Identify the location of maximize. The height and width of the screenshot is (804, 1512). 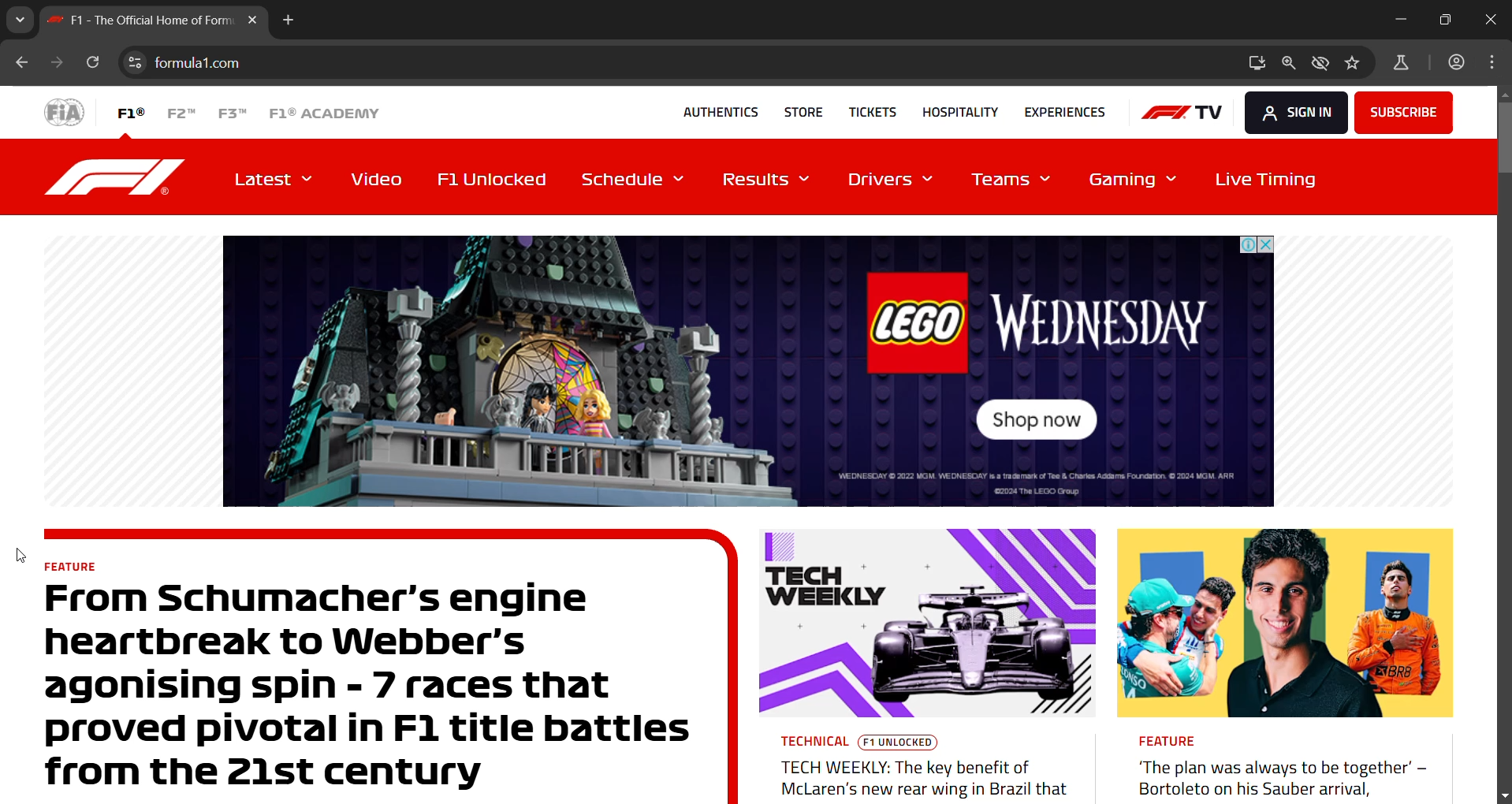
(1446, 18).